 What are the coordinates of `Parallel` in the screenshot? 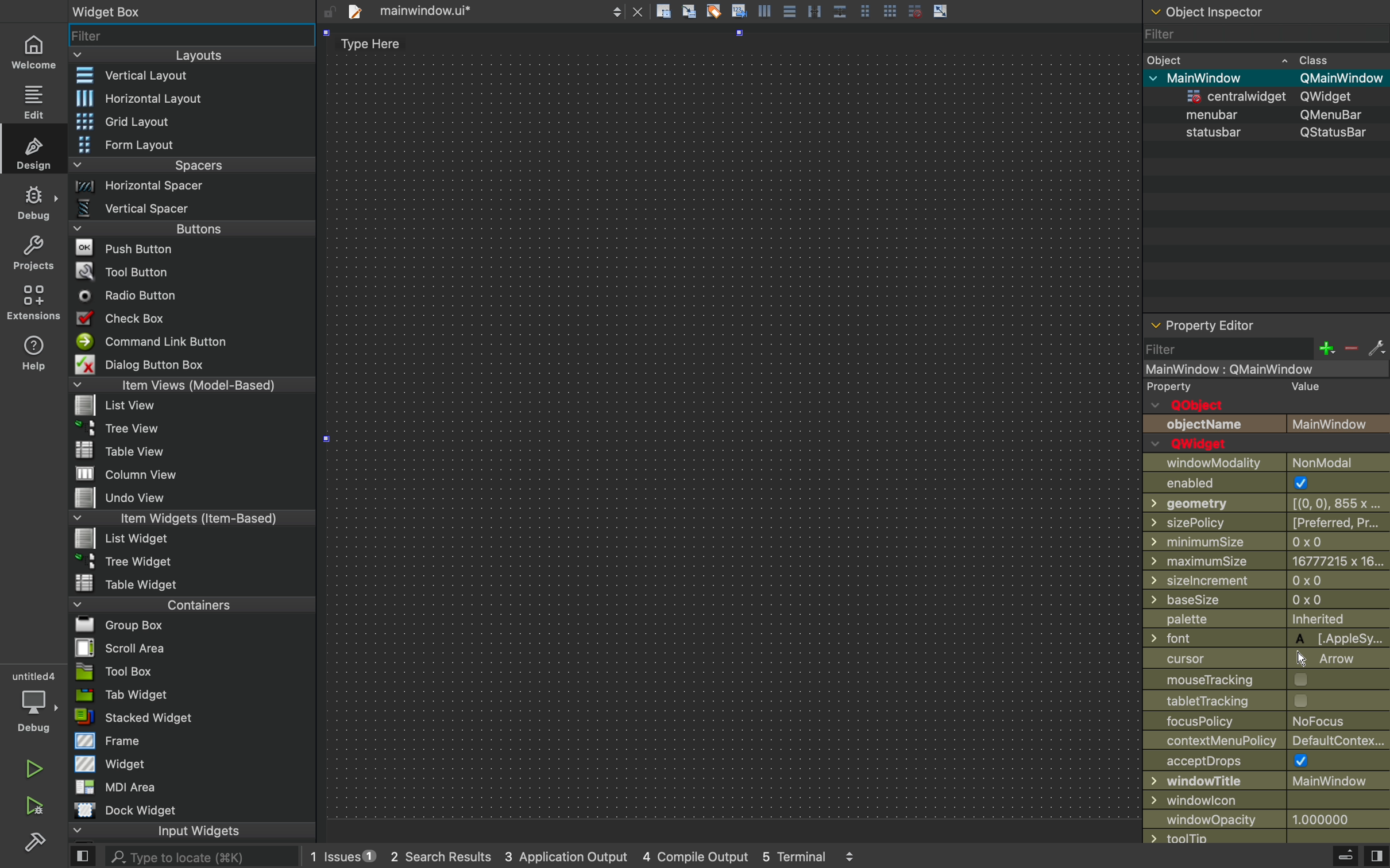 It's located at (817, 11).